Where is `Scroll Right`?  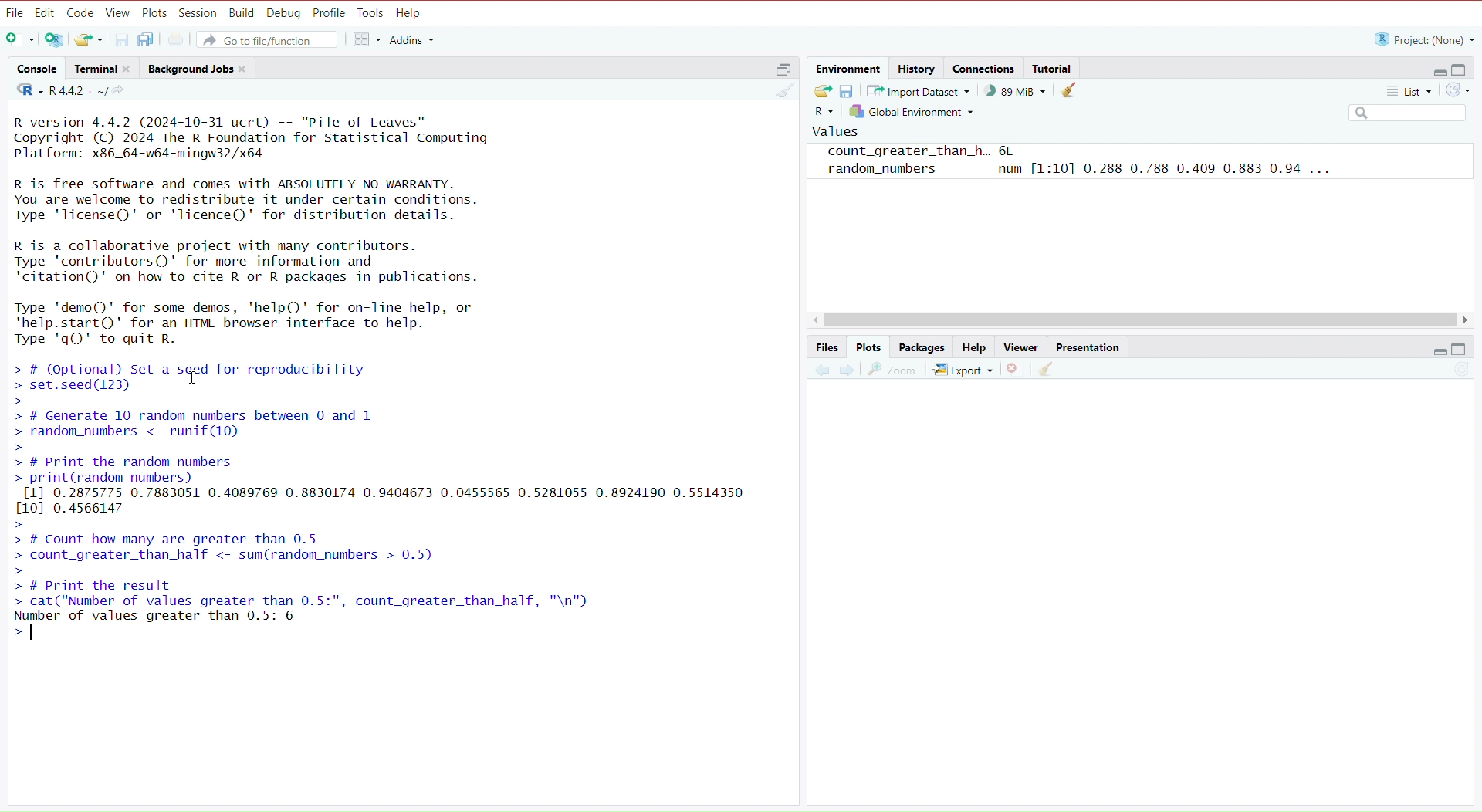 Scroll Right is located at coordinates (1467, 321).